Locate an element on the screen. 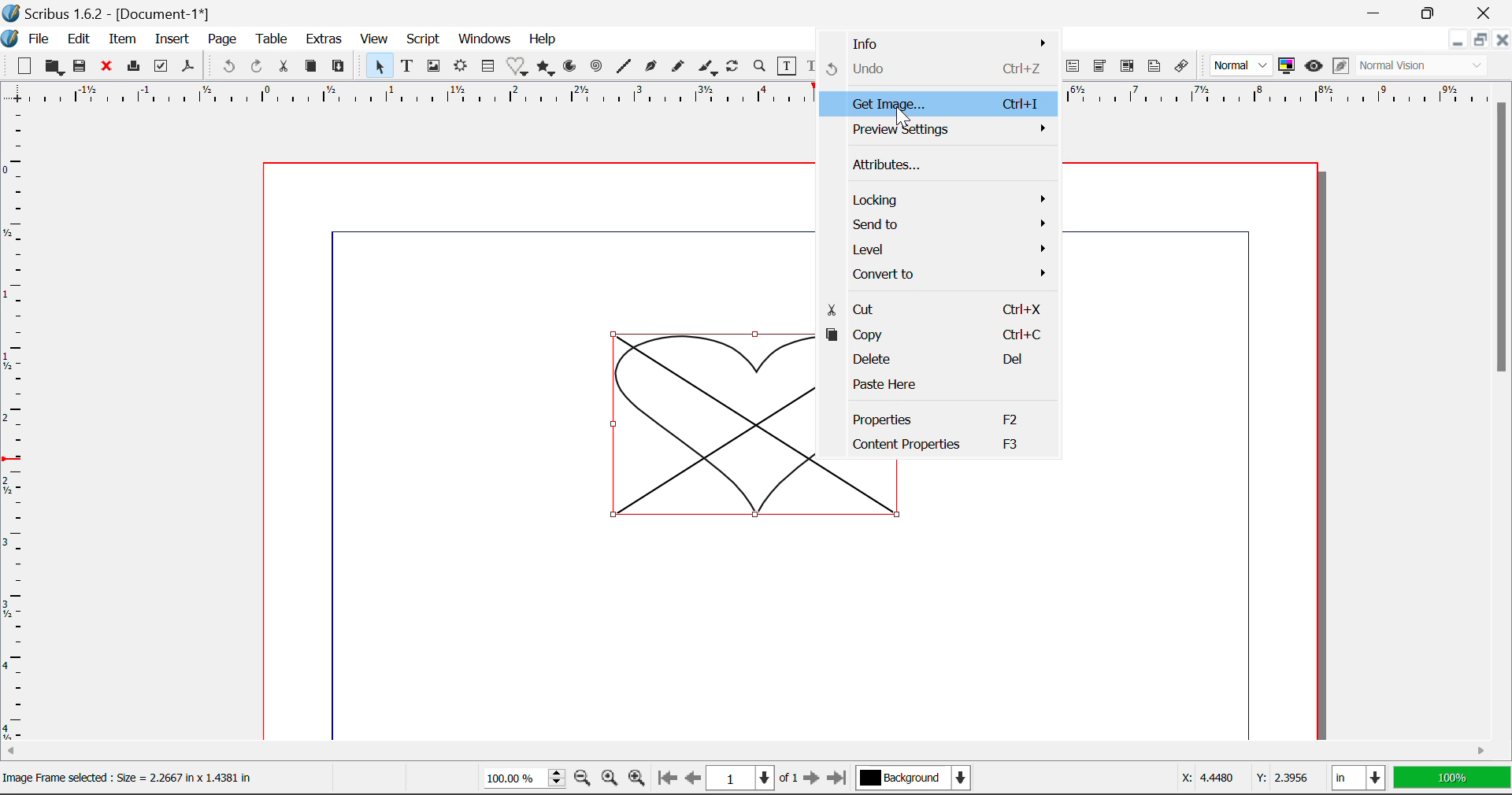 This screenshot has height=795, width=1512. heart shape is located at coordinates (715, 425).